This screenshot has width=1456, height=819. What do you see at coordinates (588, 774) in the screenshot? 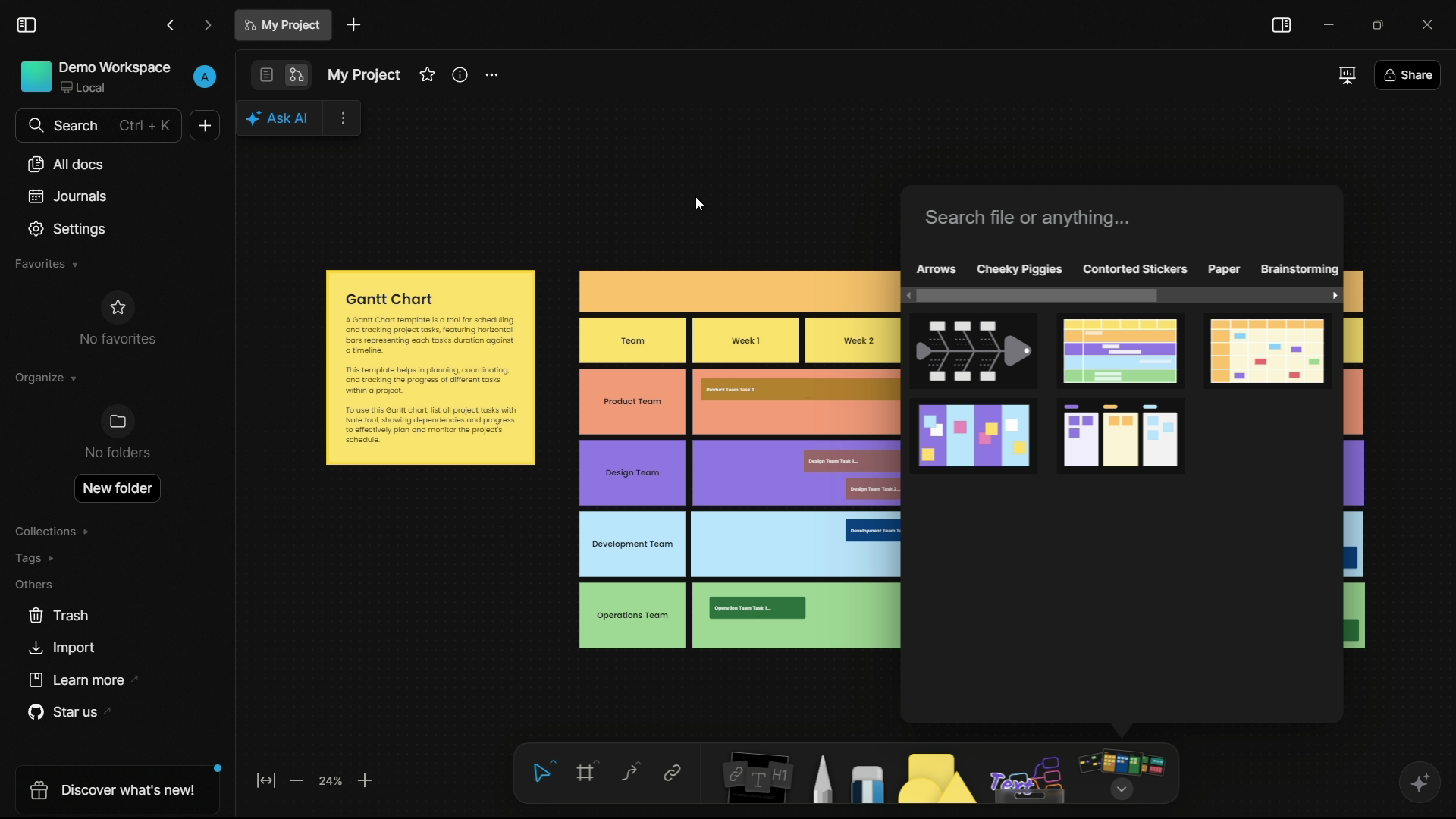
I see `frame` at bounding box center [588, 774].